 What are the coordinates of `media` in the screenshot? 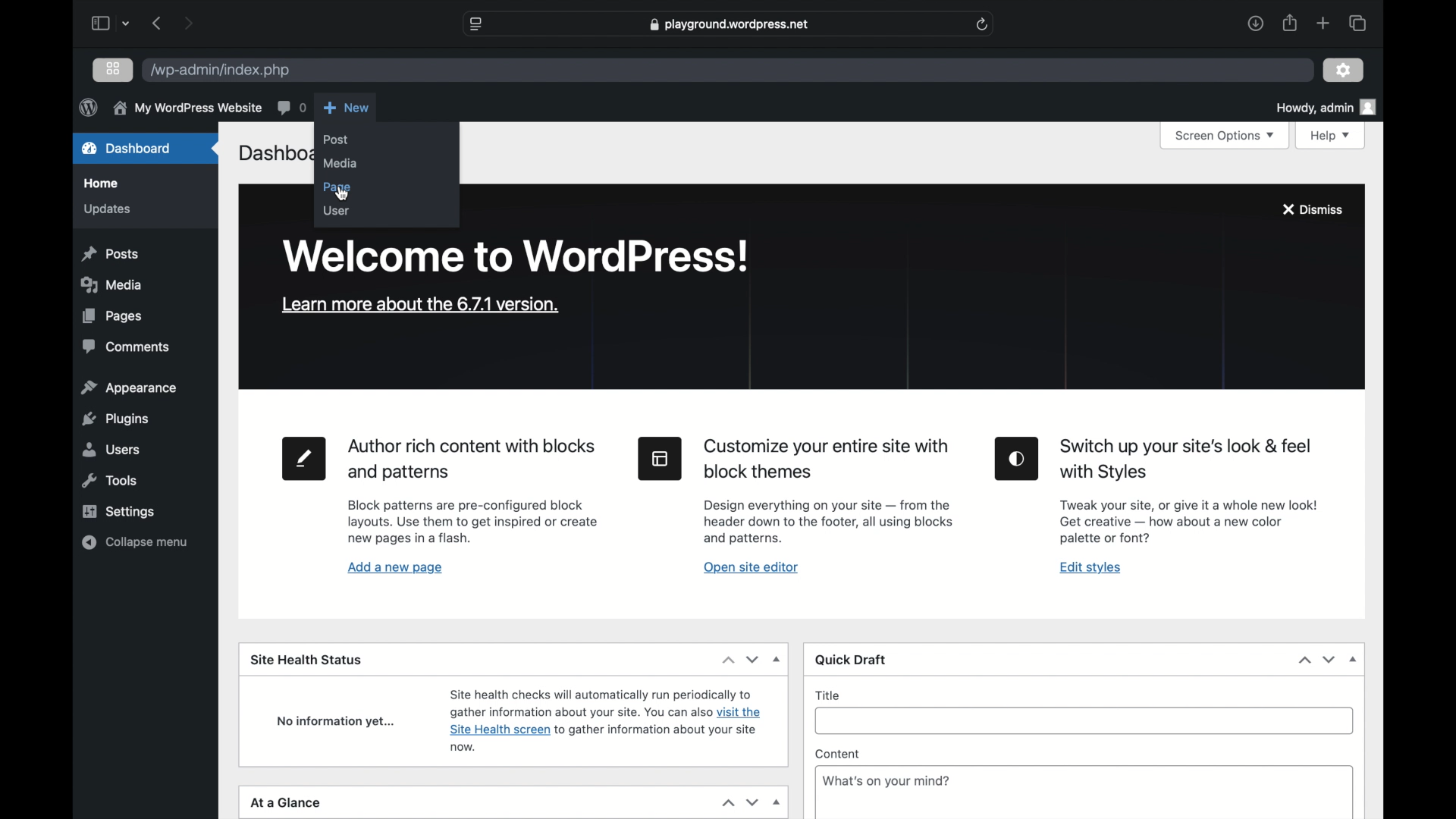 It's located at (338, 163).